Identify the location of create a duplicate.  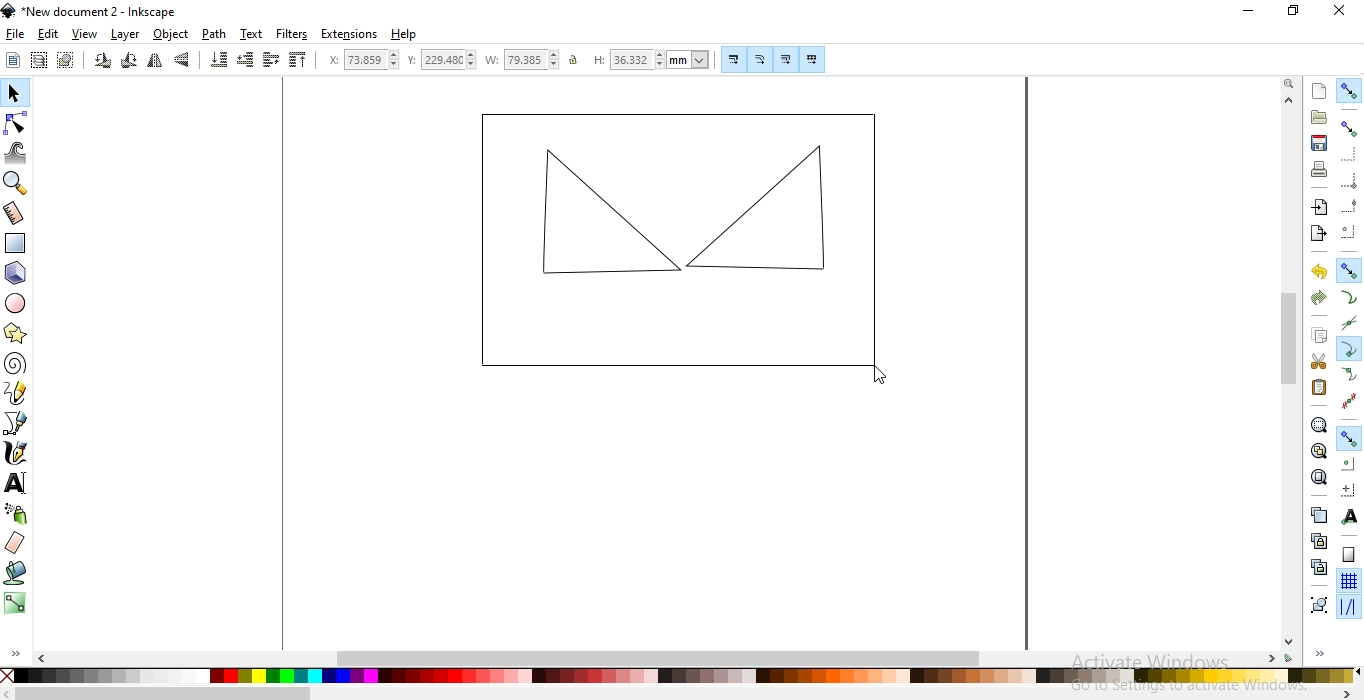
(1318, 515).